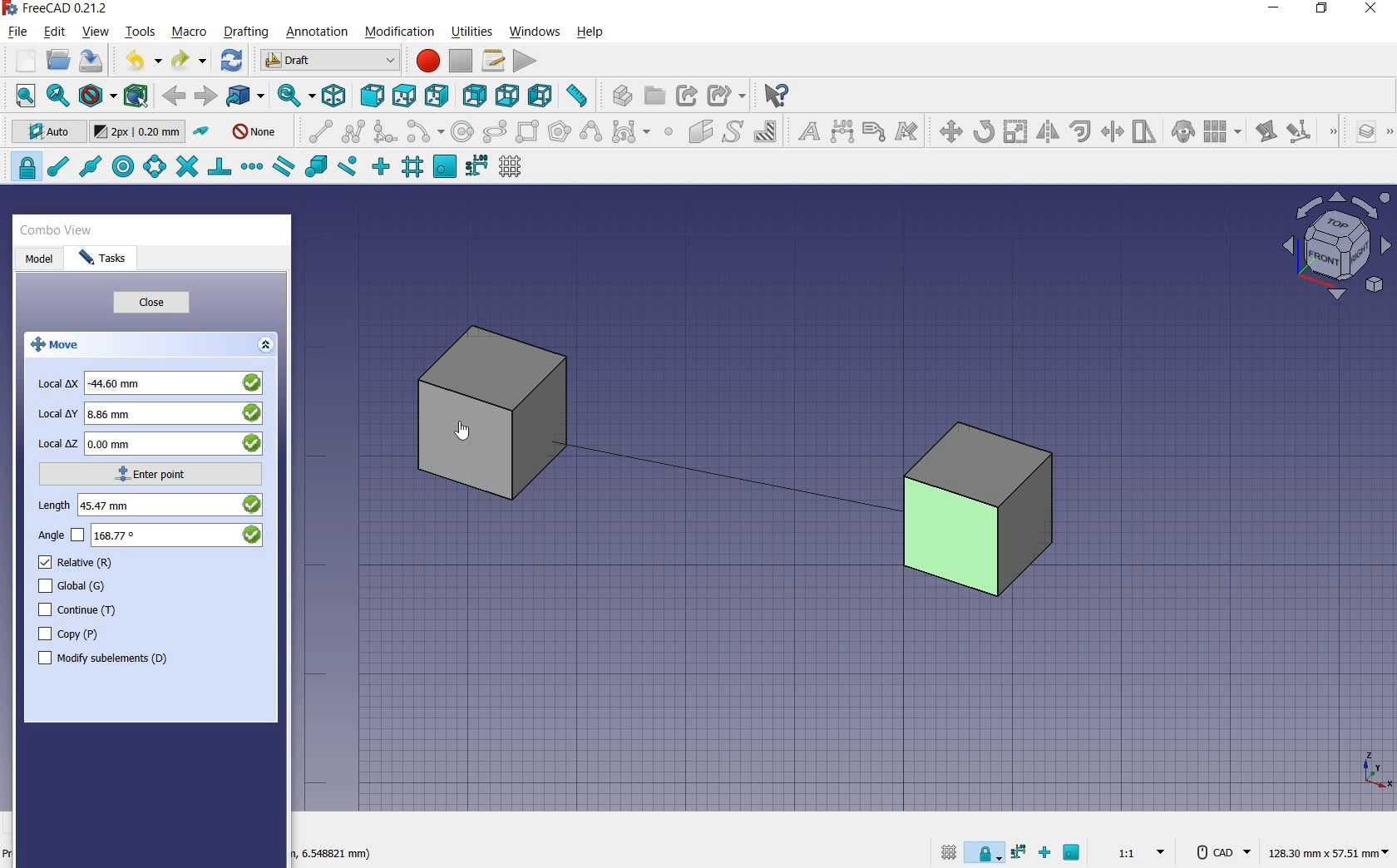  Describe the element at coordinates (560, 132) in the screenshot. I see `polygon` at that location.